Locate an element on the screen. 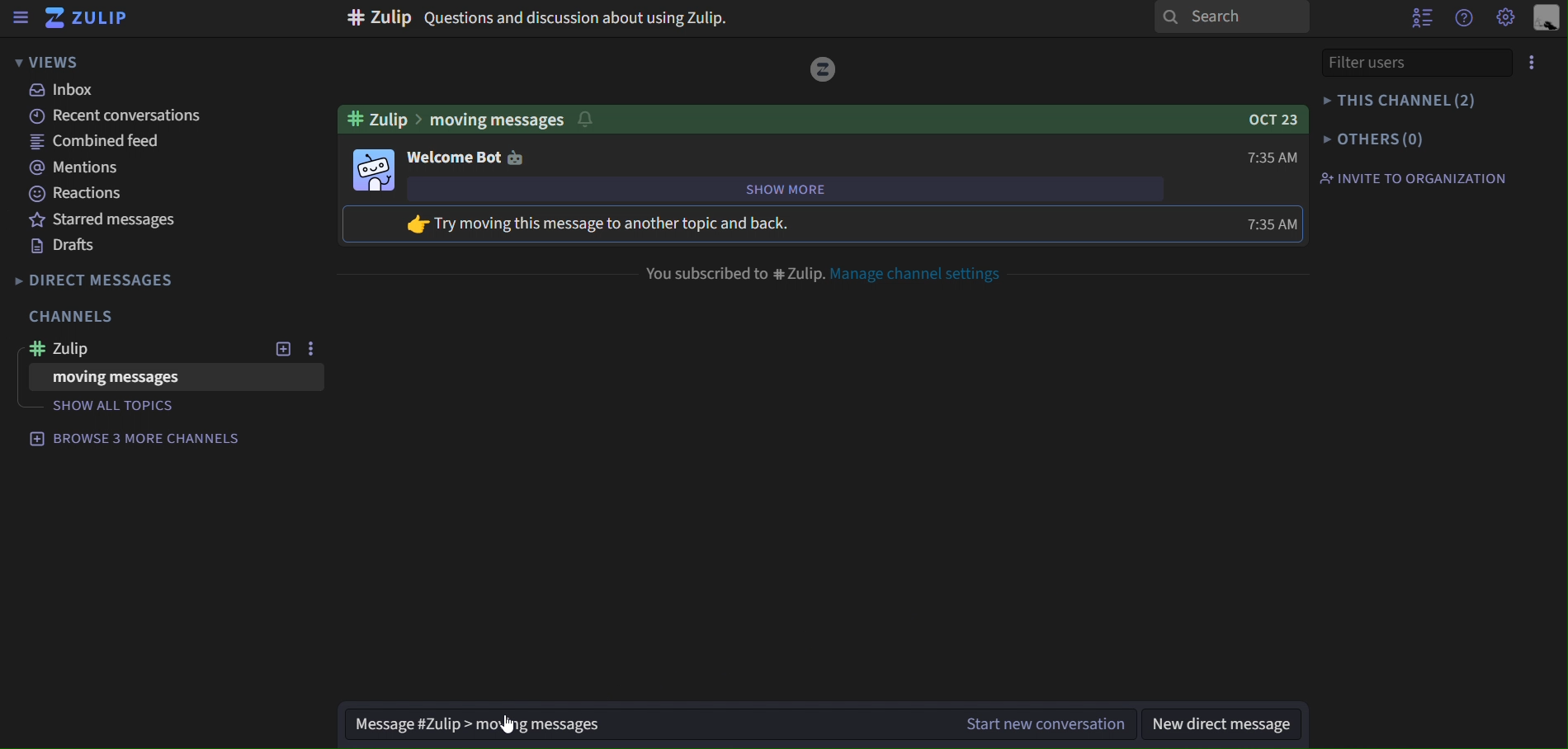 The image size is (1568, 749). 7:35AM is located at coordinates (1267, 159).